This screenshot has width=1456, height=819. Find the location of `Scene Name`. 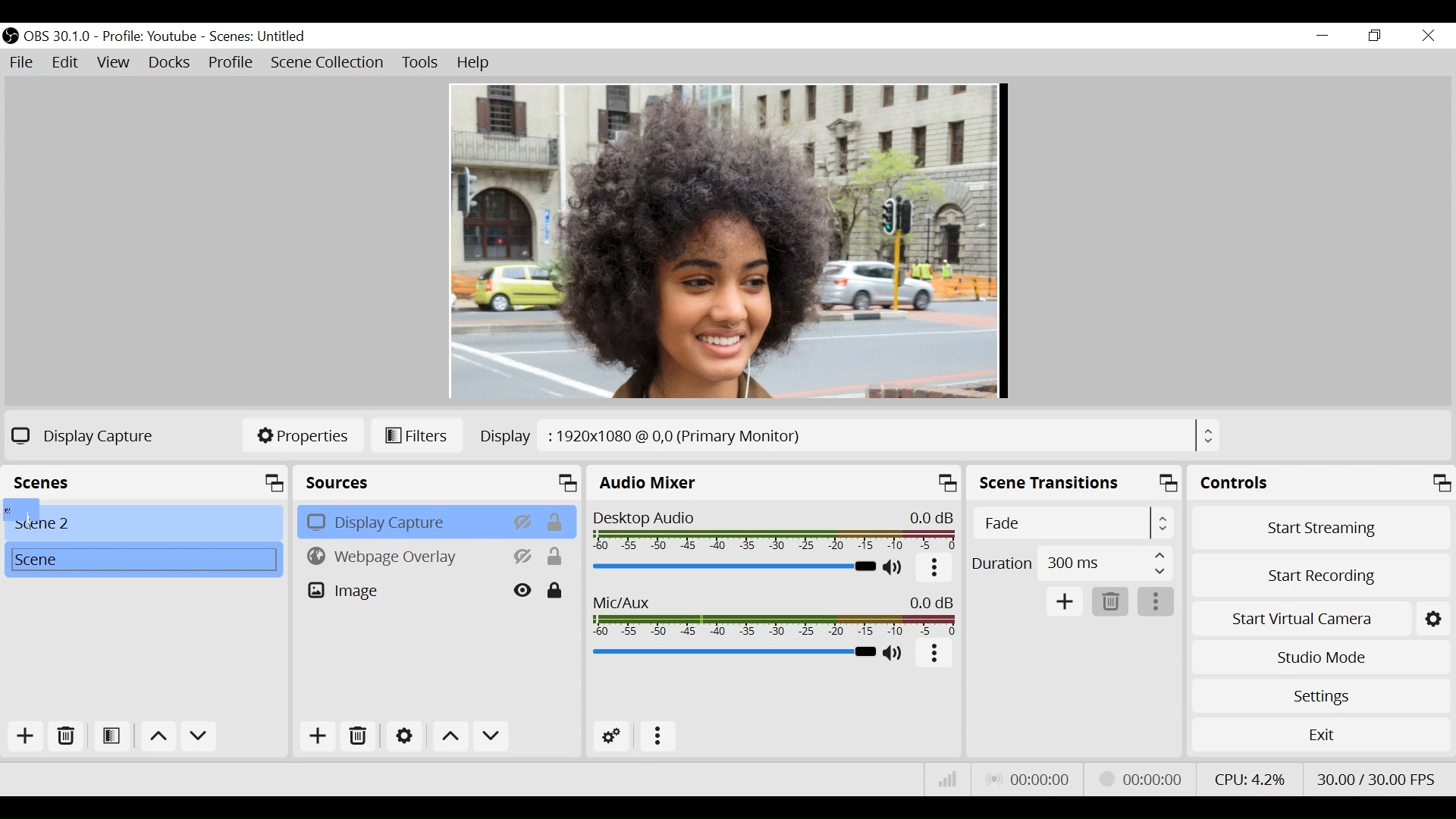

Scene Name is located at coordinates (258, 37).